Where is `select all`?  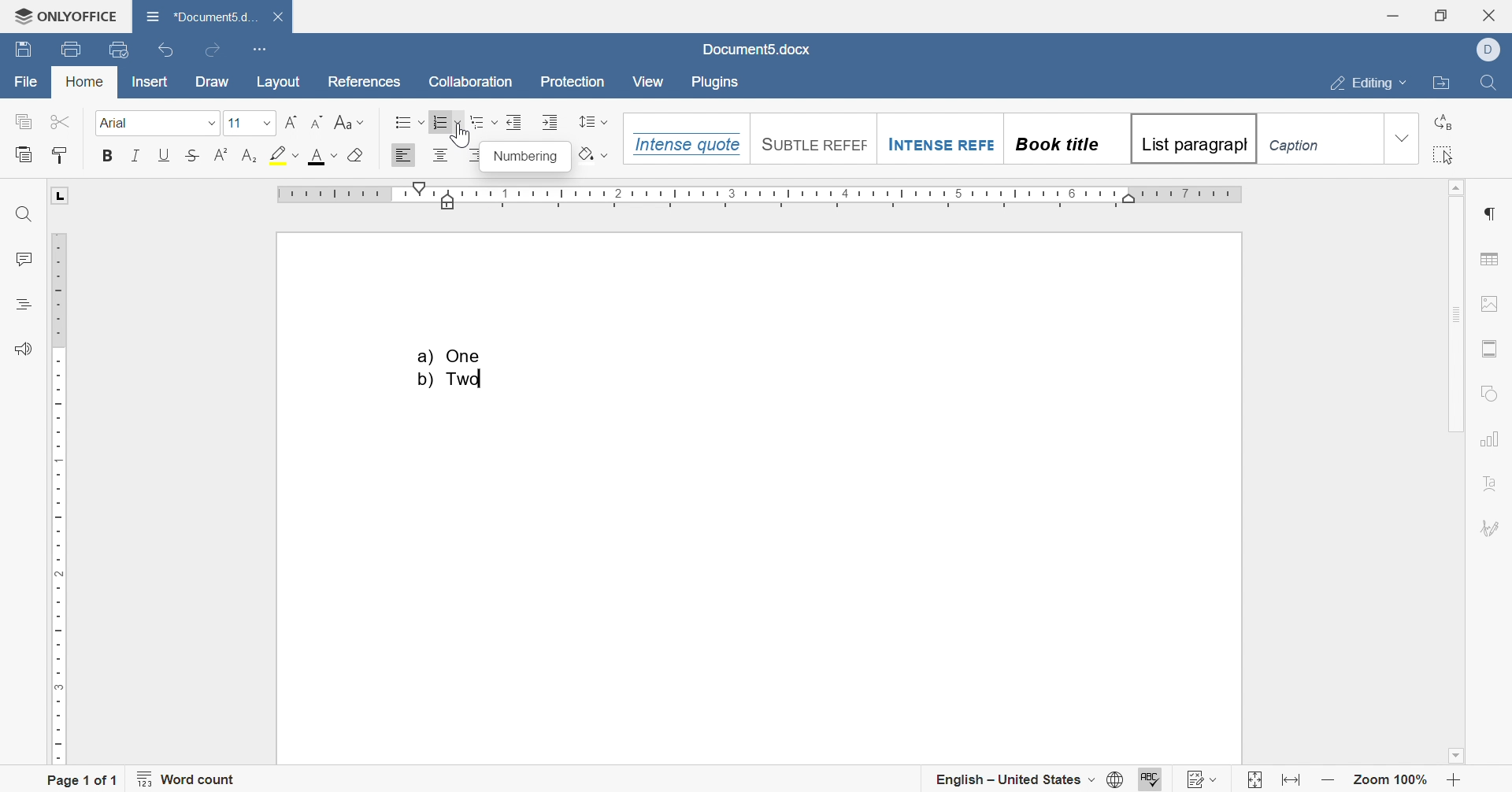
select all is located at coordinates (1444, 154).